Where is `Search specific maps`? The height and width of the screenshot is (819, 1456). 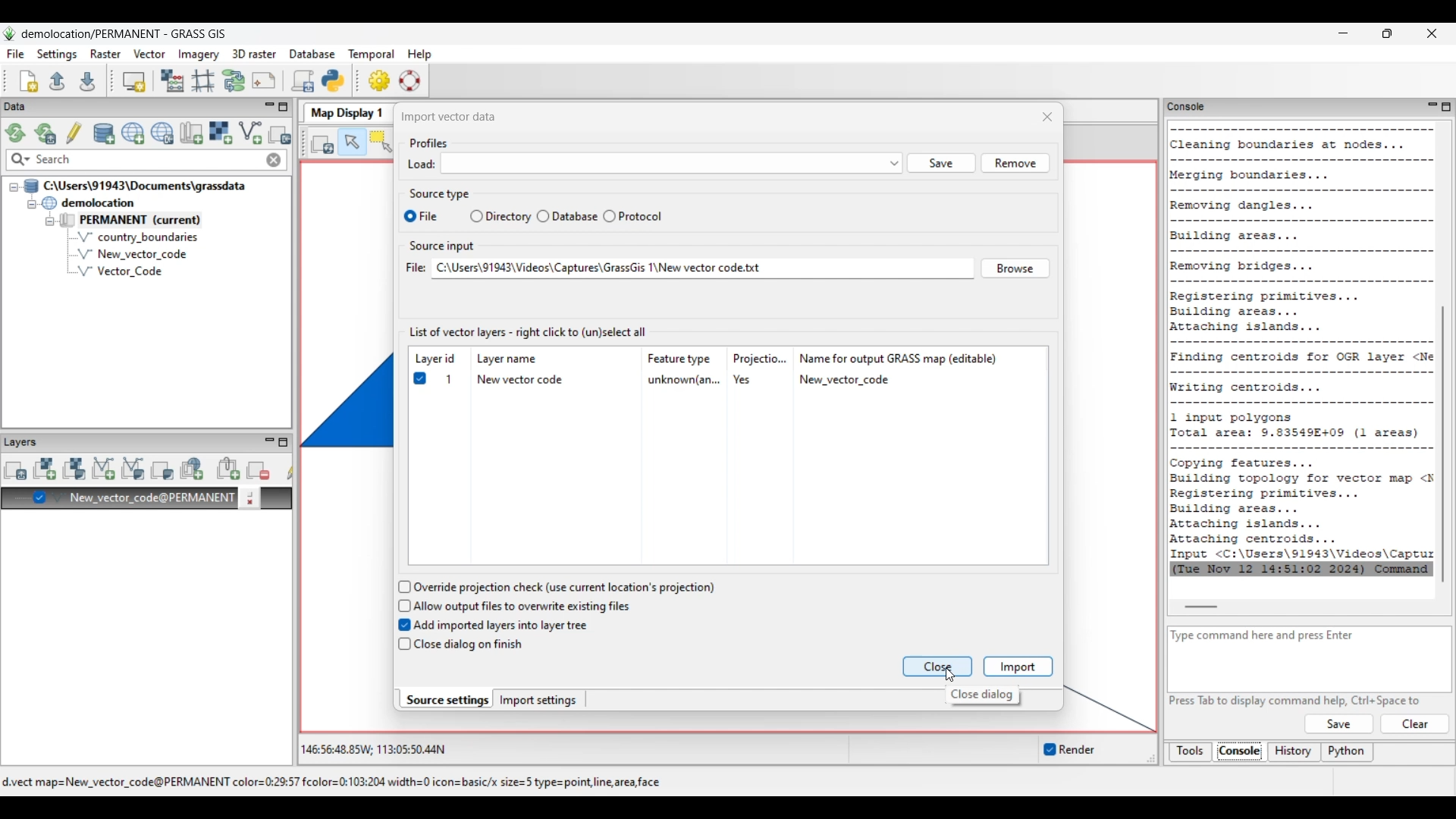
Search specific maps is located at coordinates (19, 160).